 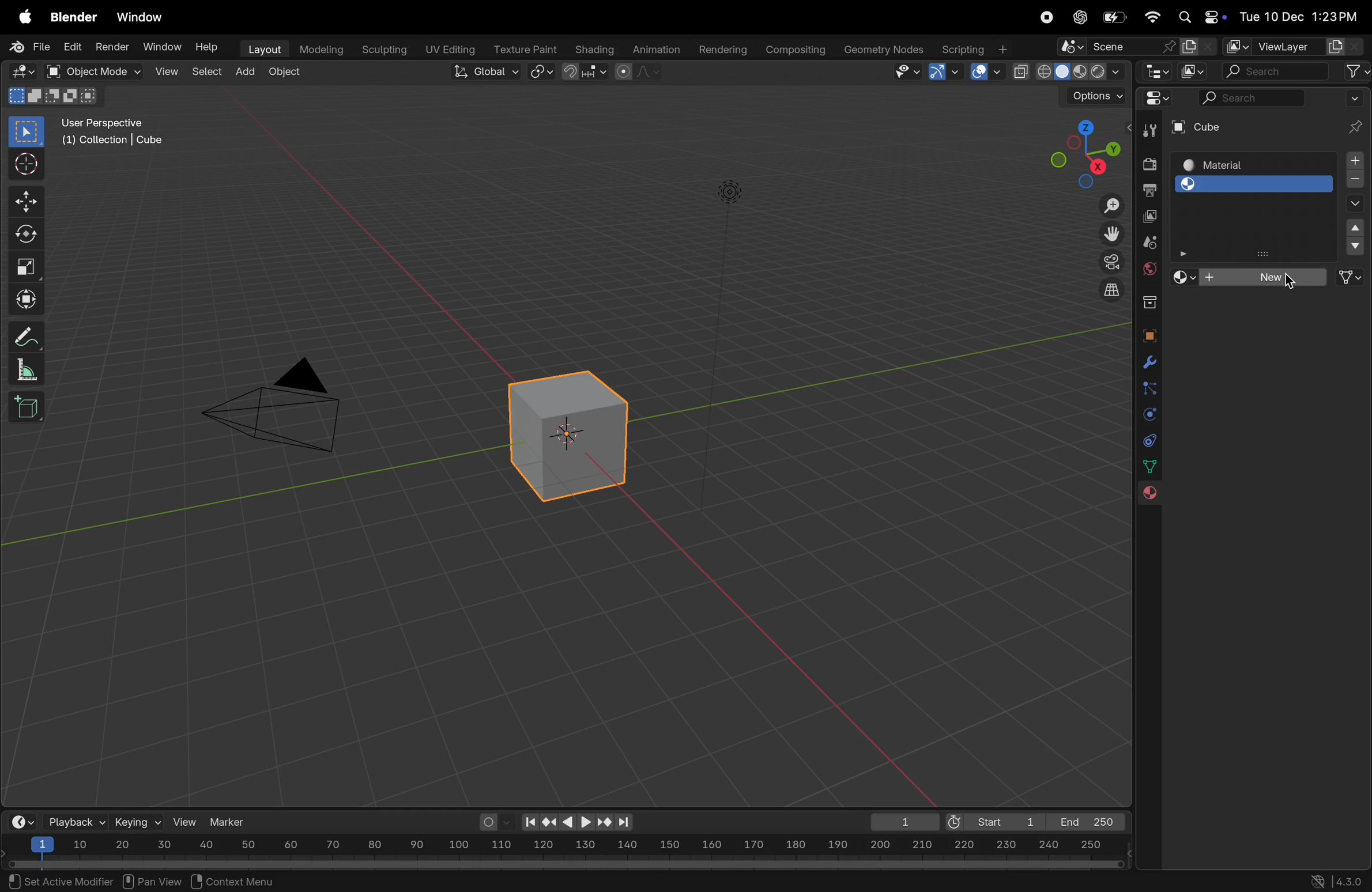 I want to click on editor type, so click(x=1162, y=101).